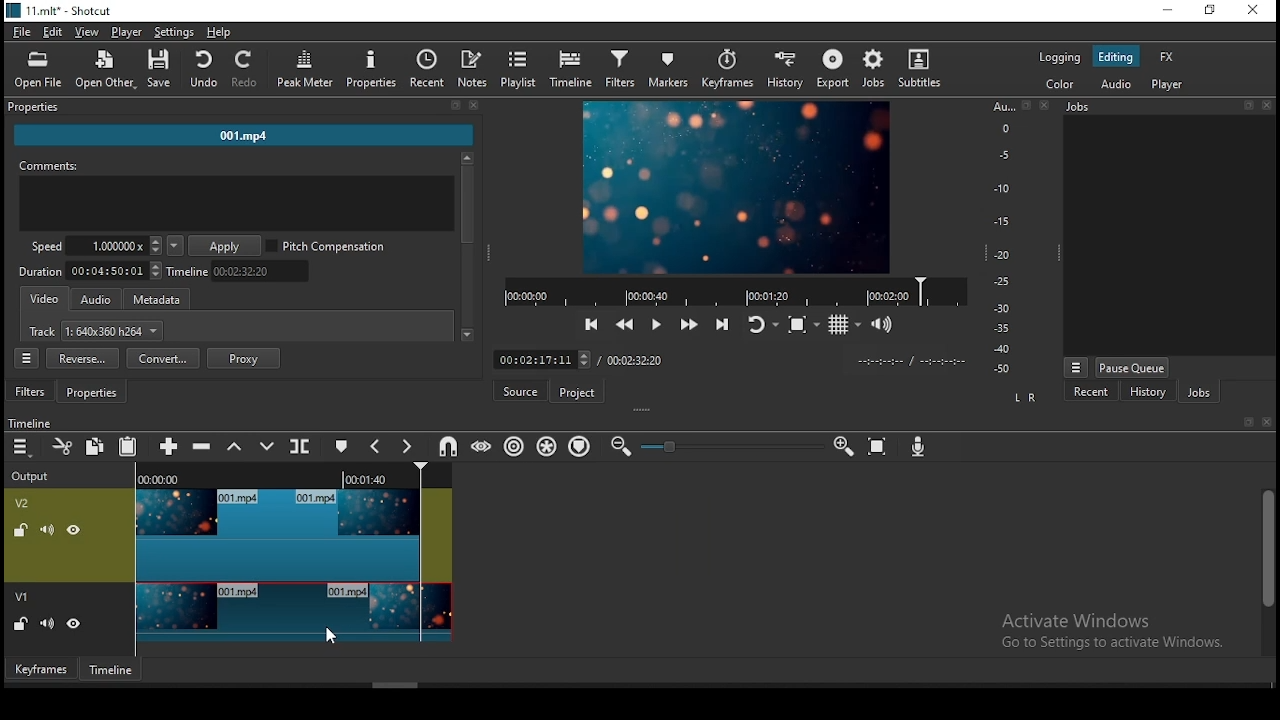  What do you see at coordinates (547, 446) in the screenshot?
I see `ripple all tracks` at bounding box center [547, 446].